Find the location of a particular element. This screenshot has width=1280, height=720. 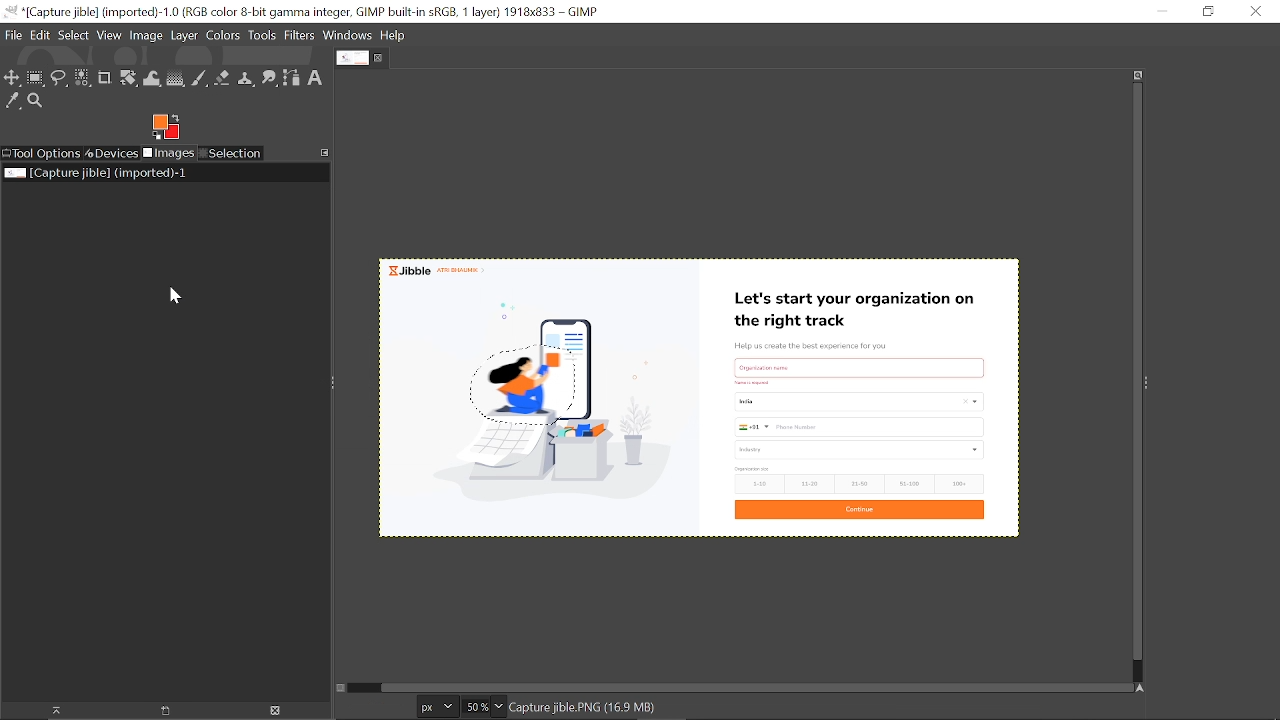

Access this tab is located at coordinates (326, 152).